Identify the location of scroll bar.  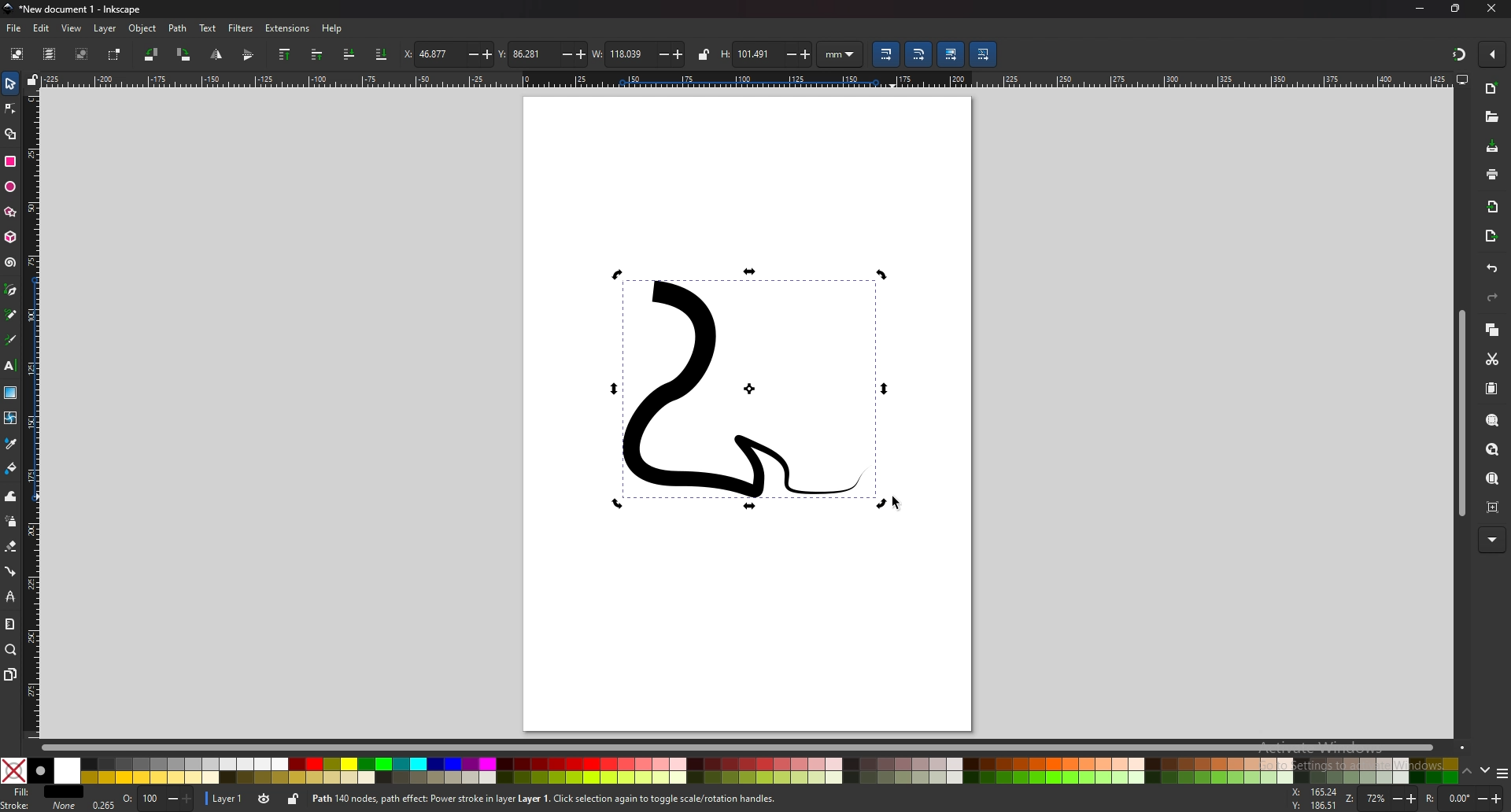
(755, 745).